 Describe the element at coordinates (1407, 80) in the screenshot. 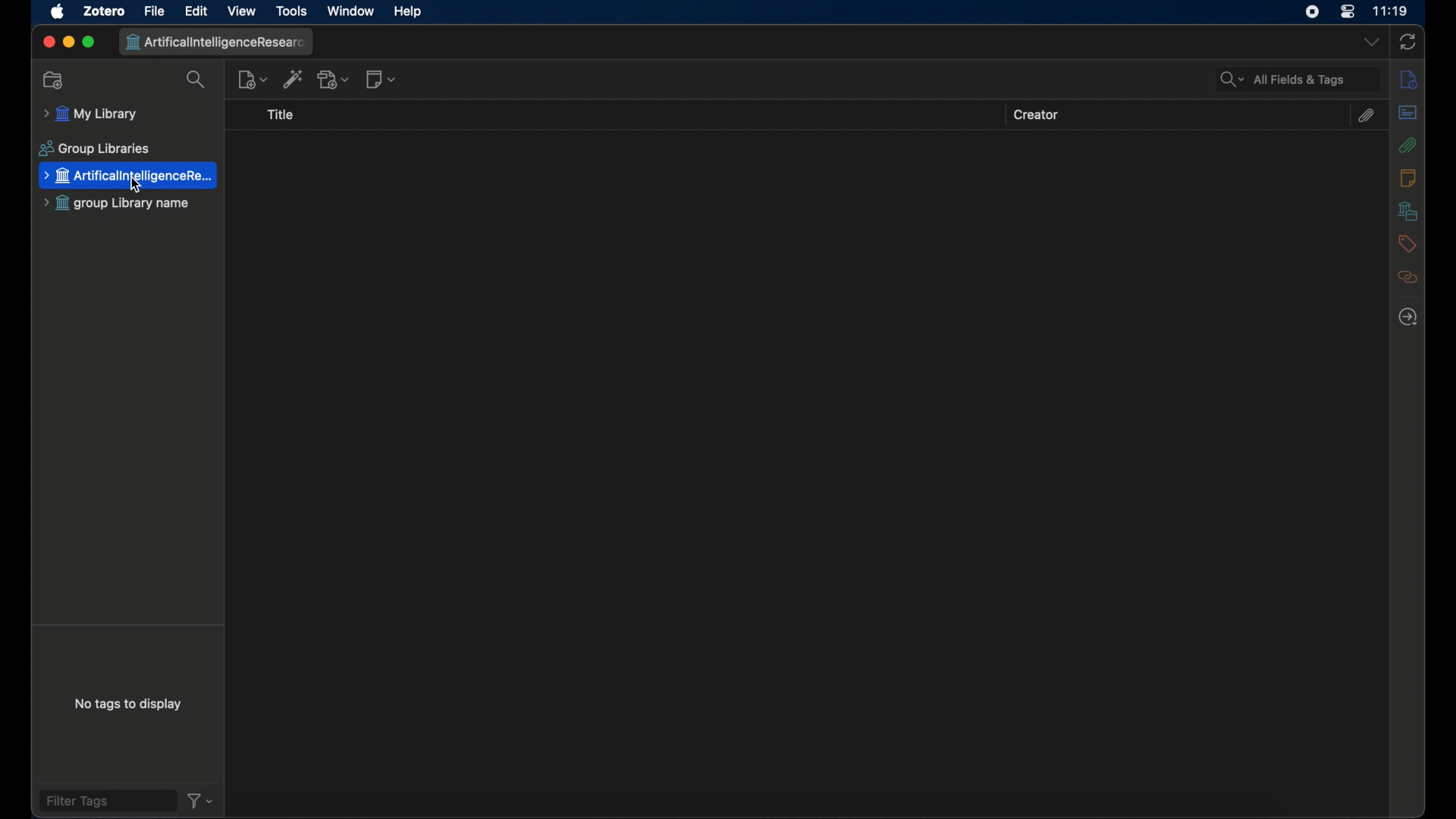

I see `info` at that location.